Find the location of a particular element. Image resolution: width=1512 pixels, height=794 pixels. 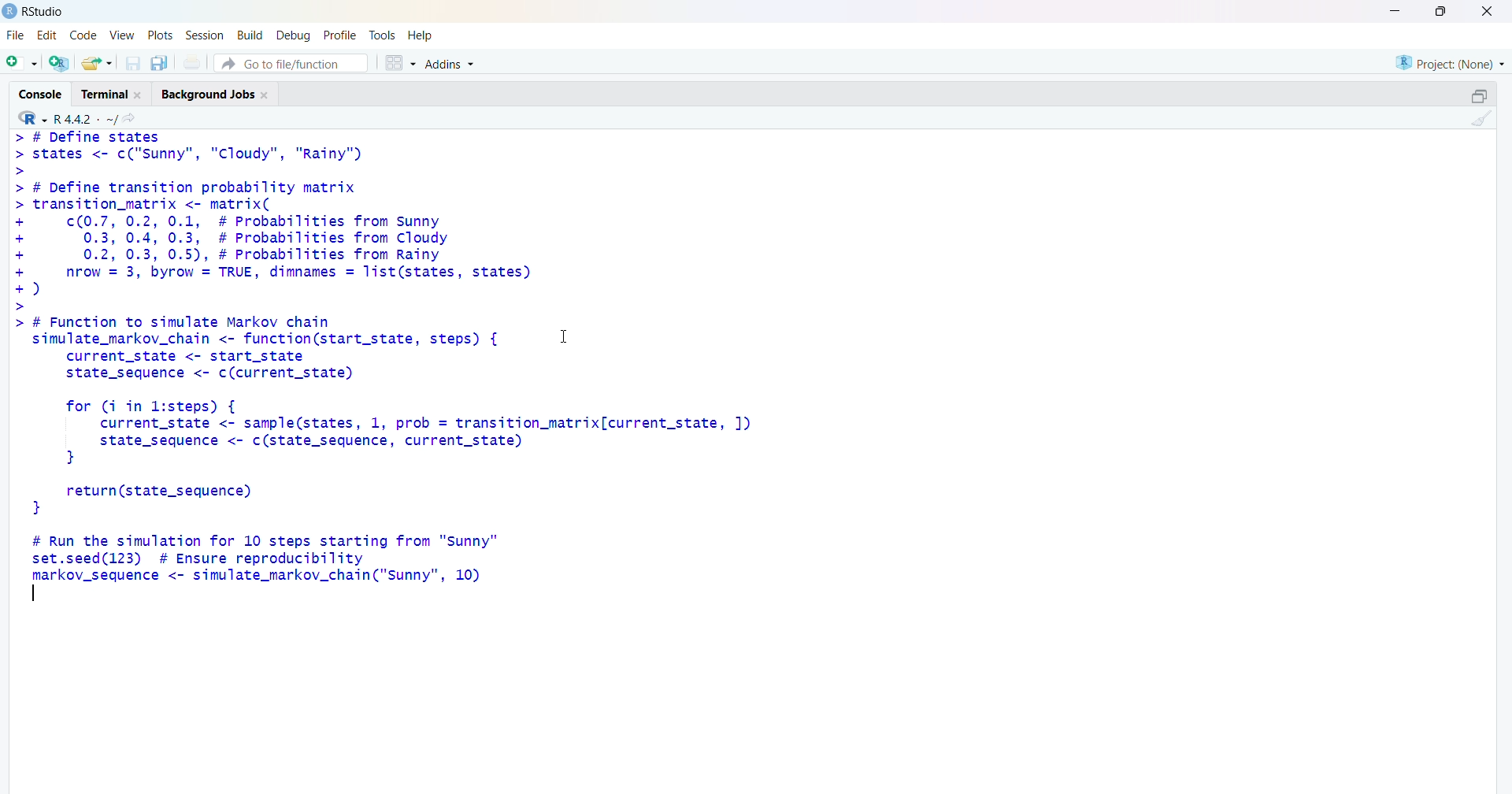

profile is located at coordinates (337, 35).